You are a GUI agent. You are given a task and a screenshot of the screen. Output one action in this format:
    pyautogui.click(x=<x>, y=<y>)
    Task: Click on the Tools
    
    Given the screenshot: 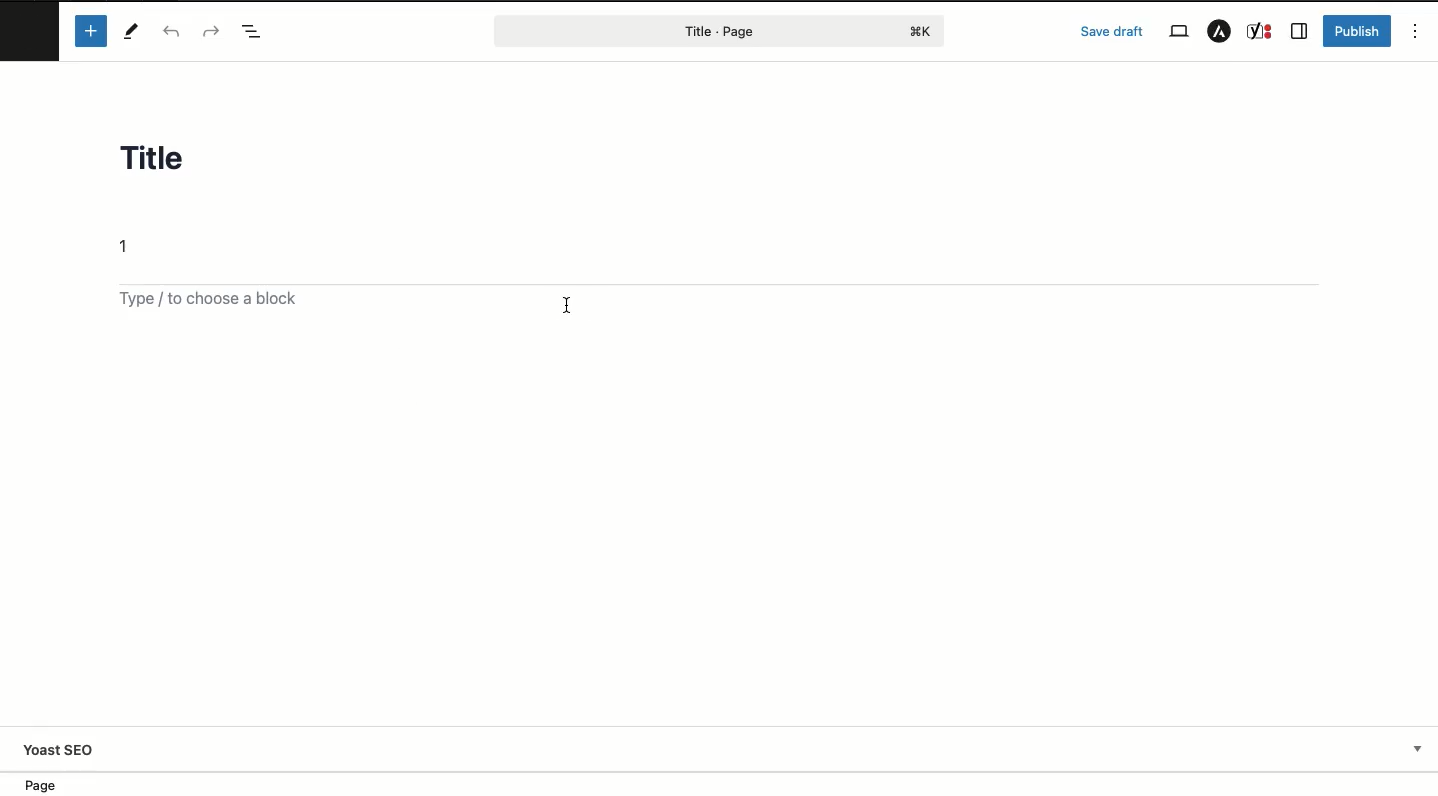 What is the action you would take?
    pyautogui.click(x=132, y=31)
    